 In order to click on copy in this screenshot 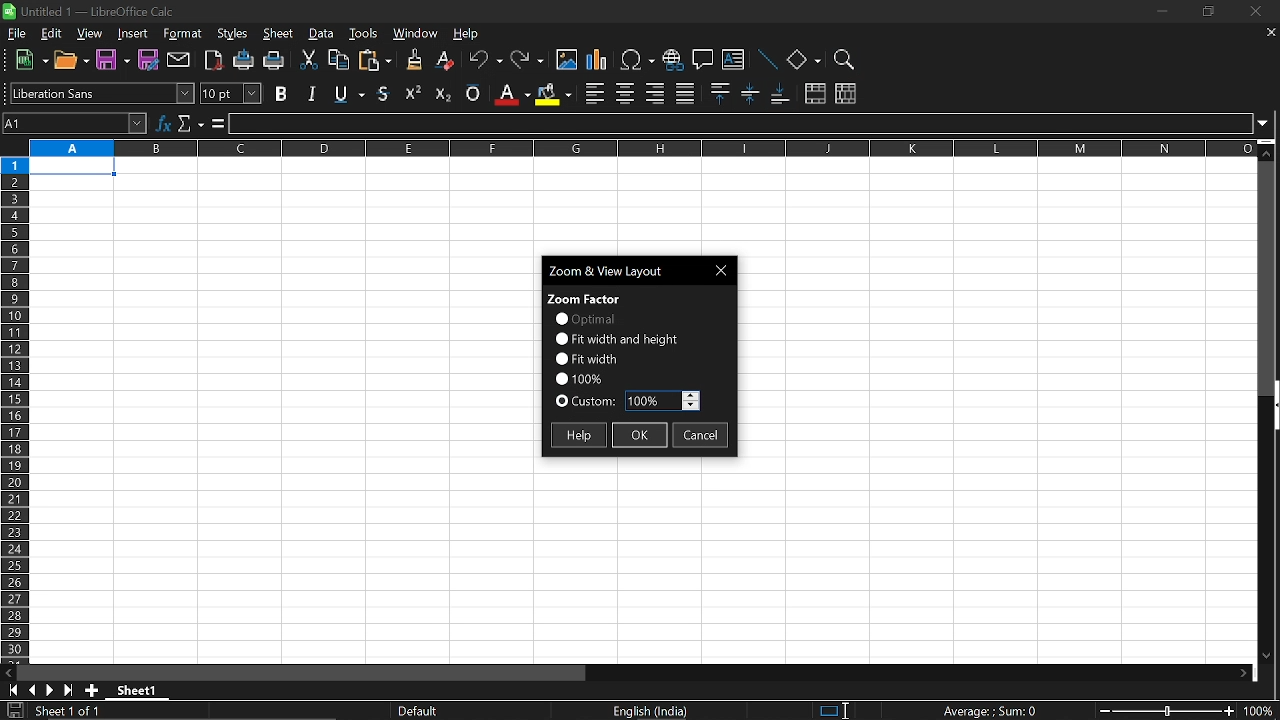, I will do `click(337, 63)`.